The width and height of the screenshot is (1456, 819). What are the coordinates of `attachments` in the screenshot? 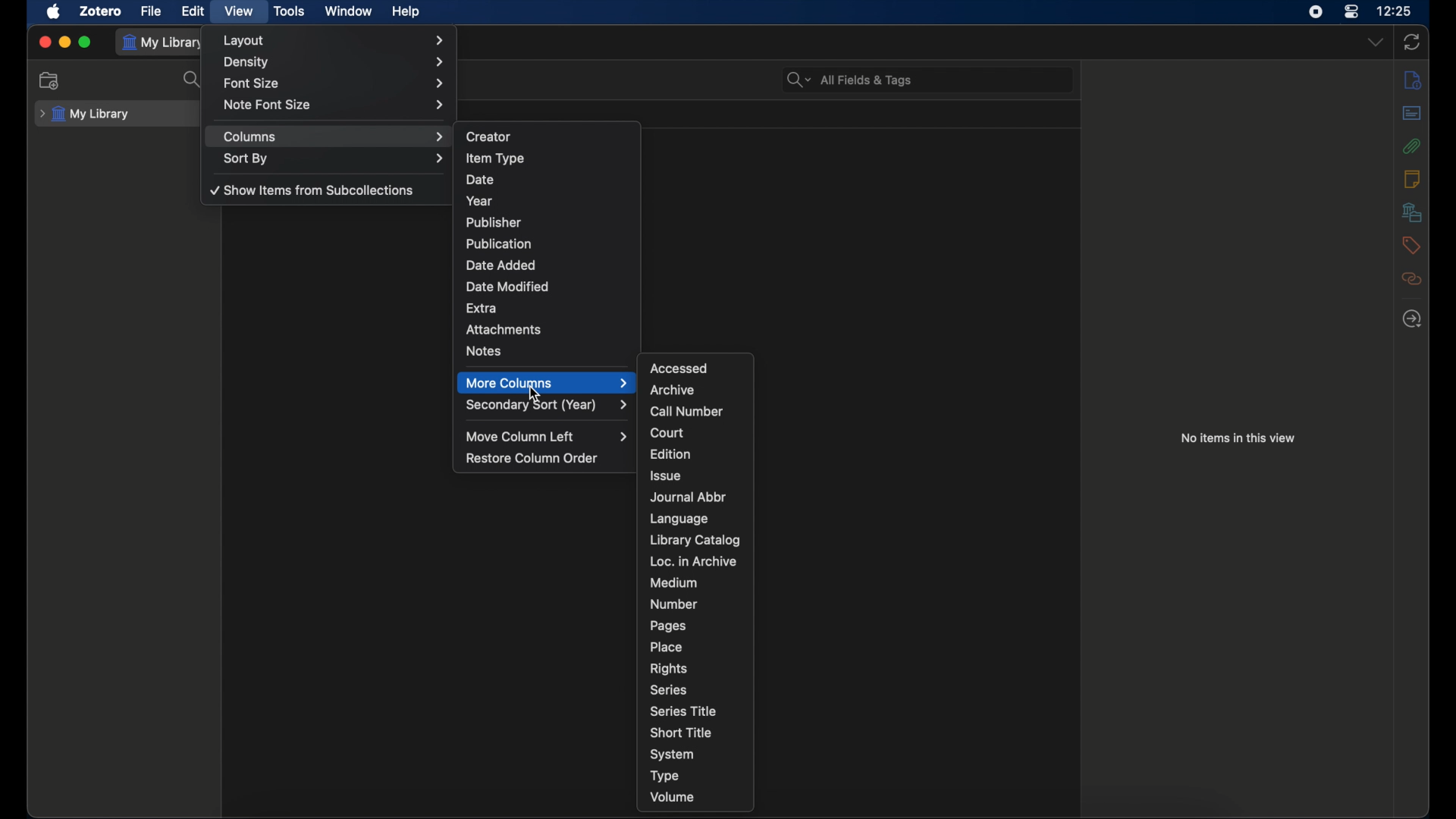 It's located at (1412, 146).